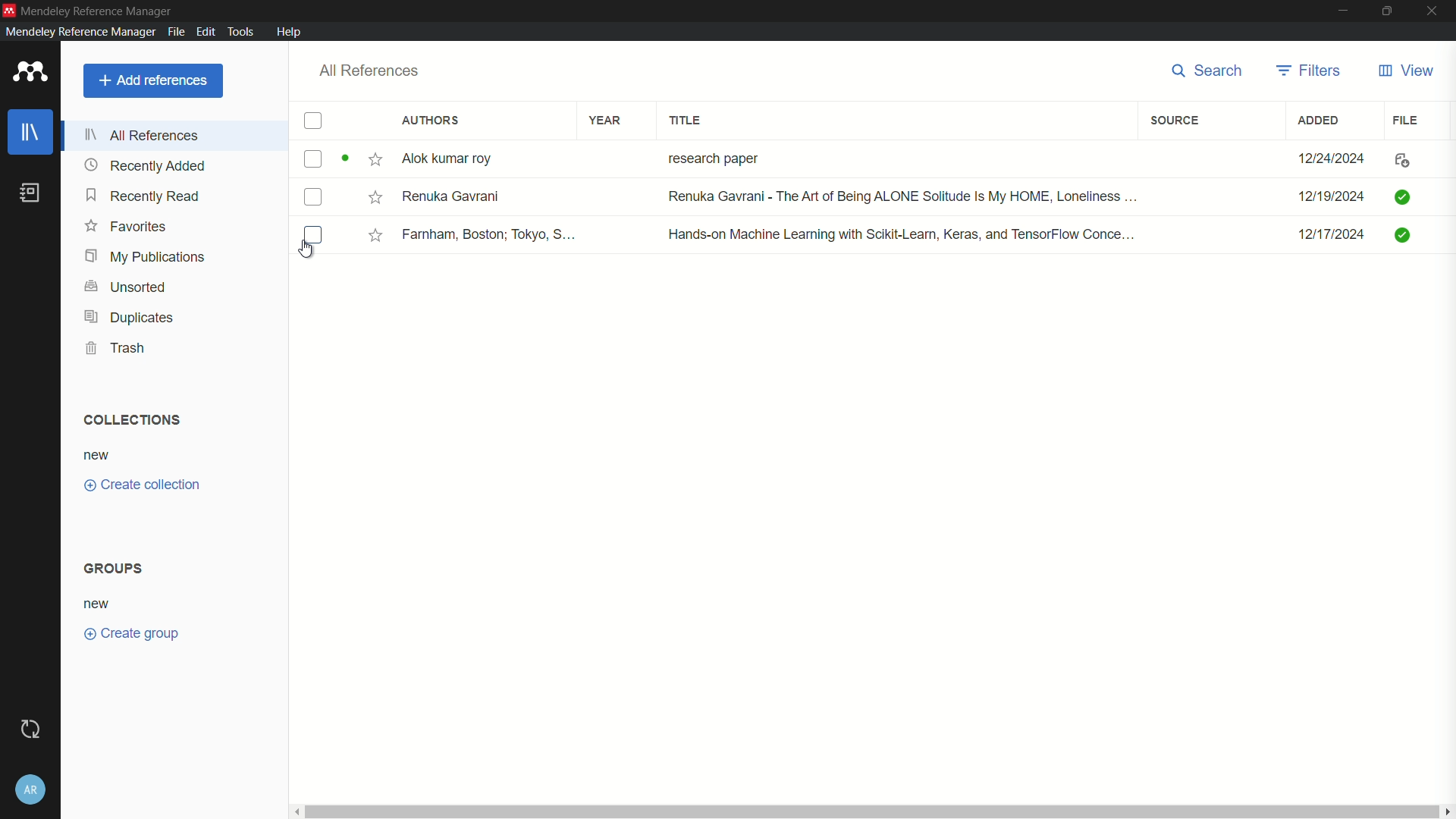  I want to click on book, so click(30, 193).